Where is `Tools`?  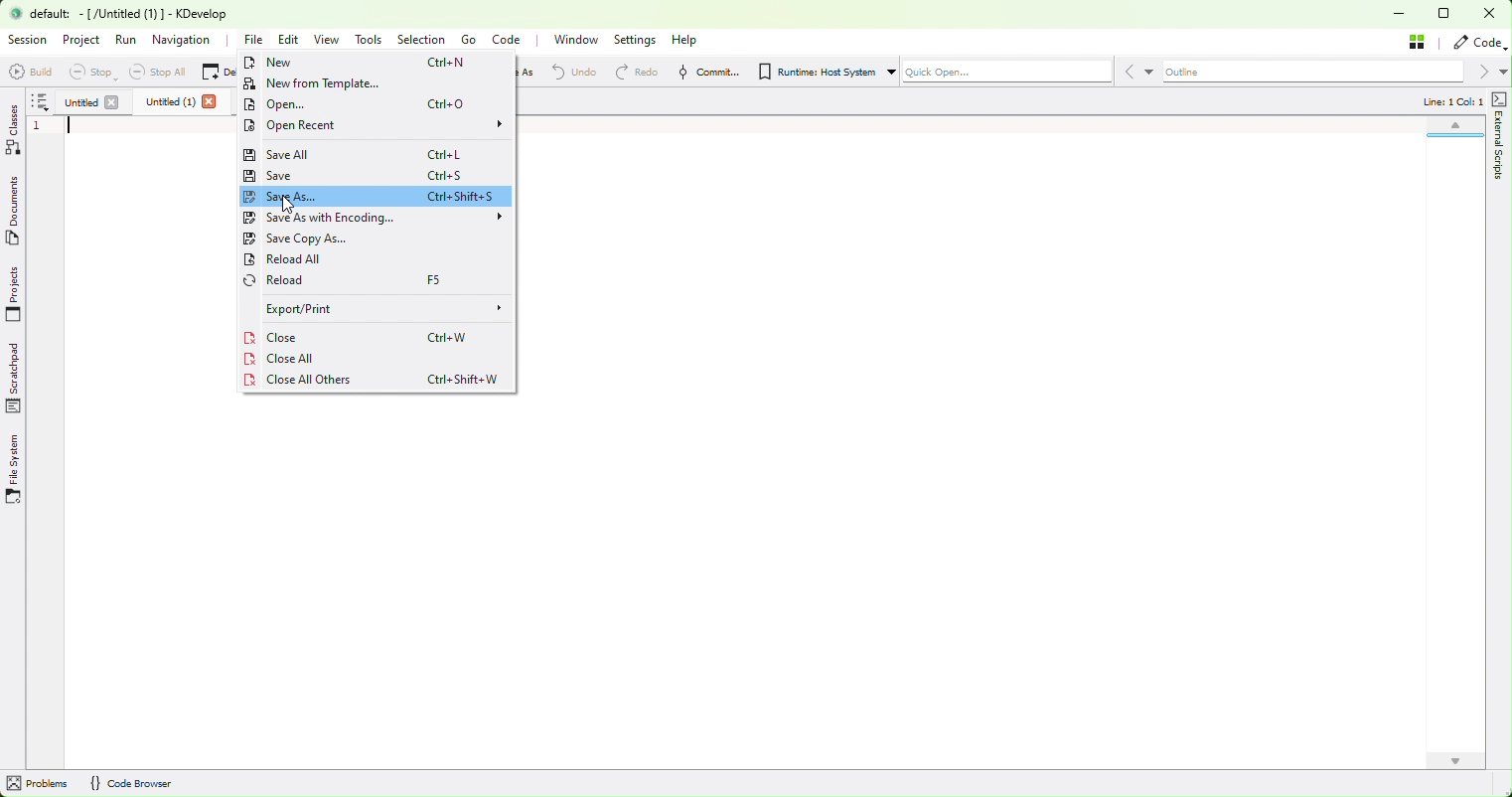 Tools is located at coordinates (369, 40).